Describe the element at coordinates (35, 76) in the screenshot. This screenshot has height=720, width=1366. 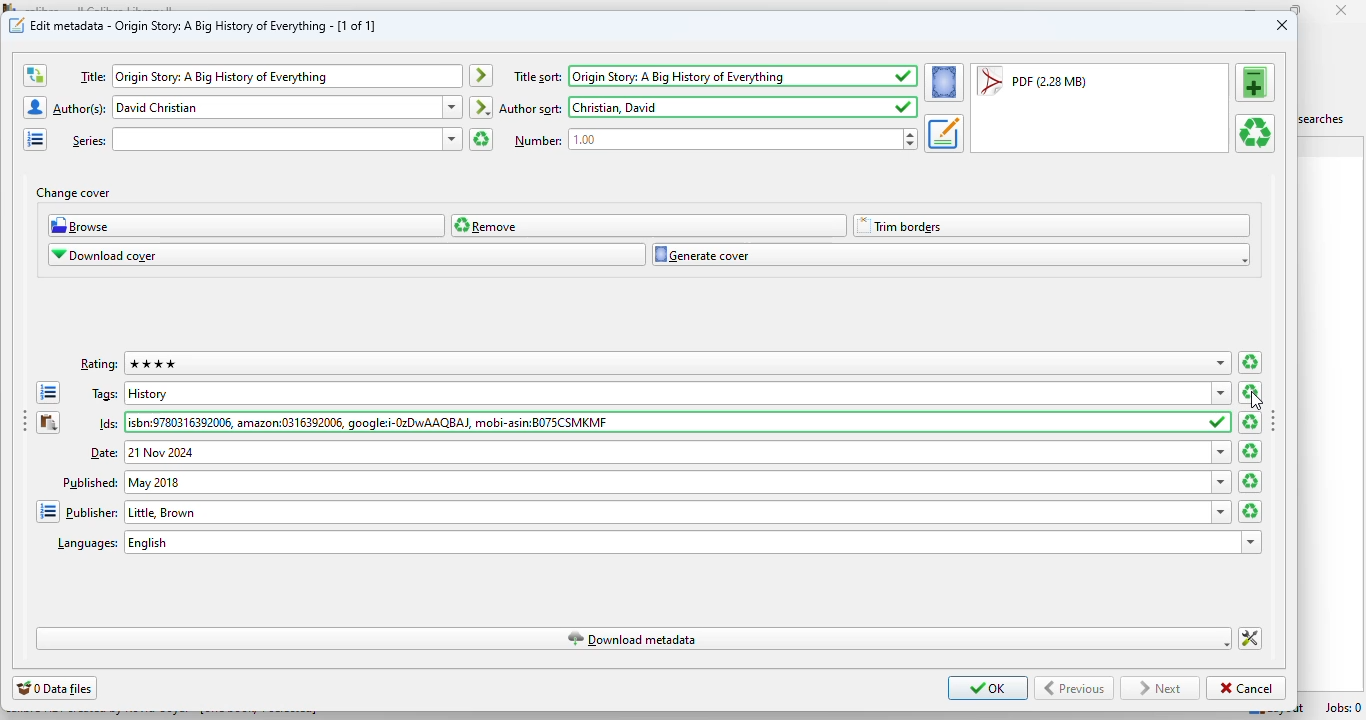
I see `swap the author and title` at that location.